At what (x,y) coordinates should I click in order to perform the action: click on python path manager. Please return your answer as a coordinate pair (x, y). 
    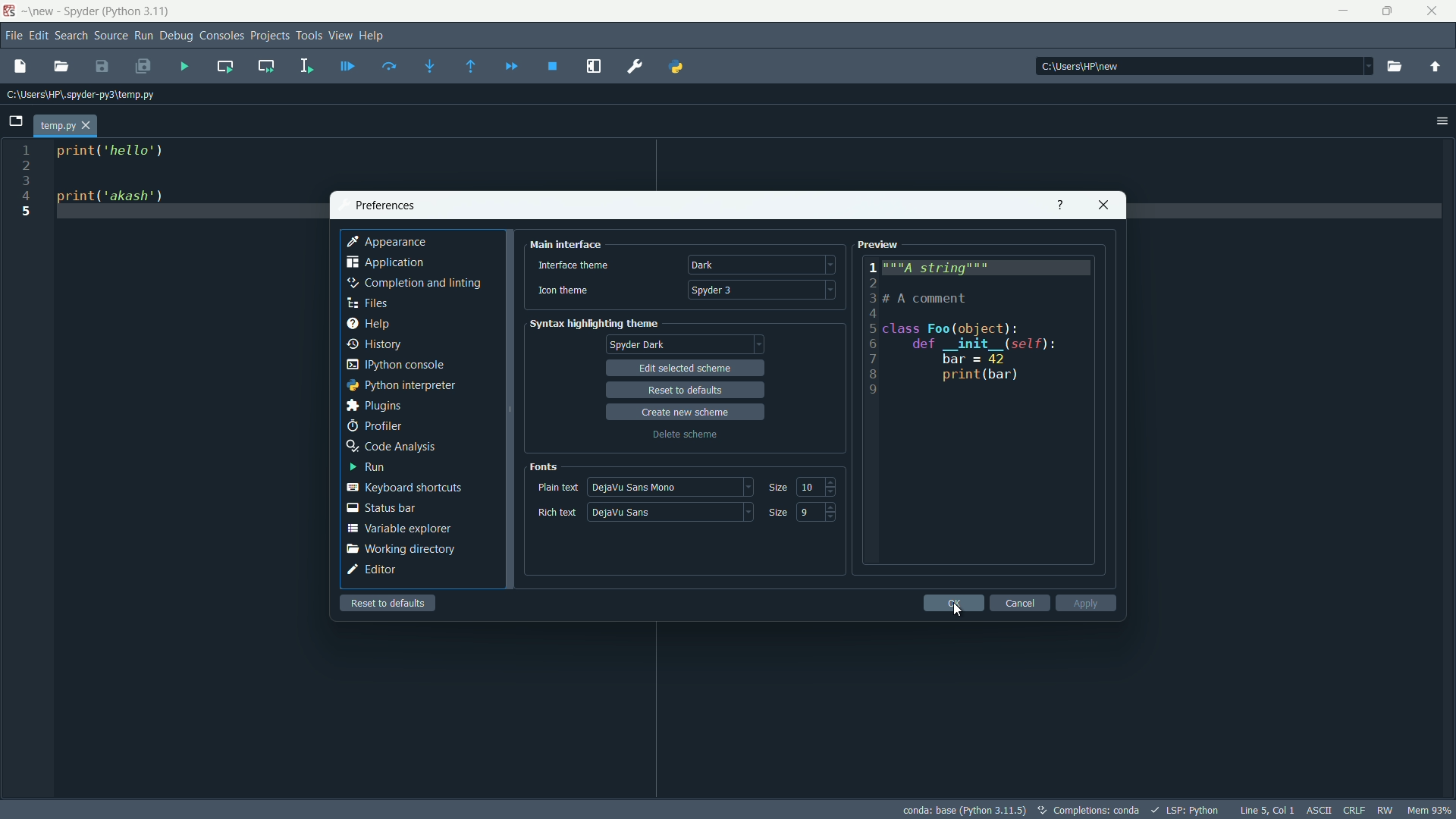
    Looking at the image, I should click on (676, 66).